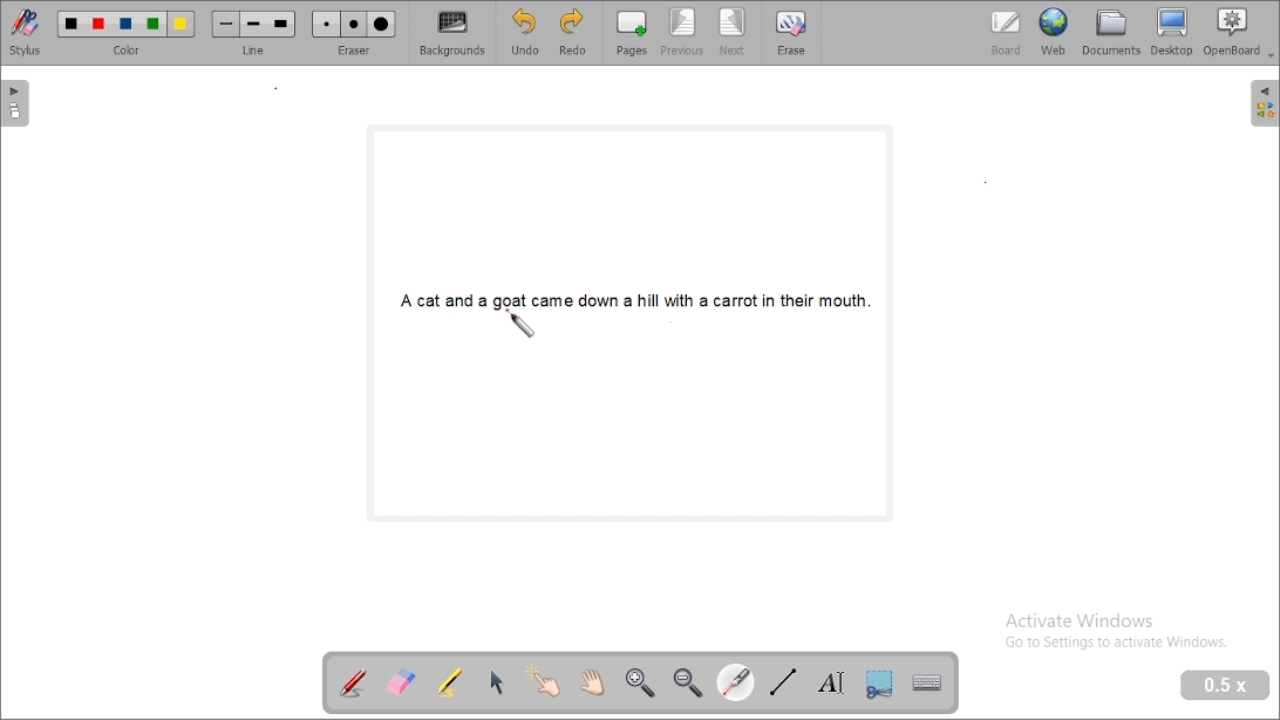 The width and height of the screenshot is (1280, 720). What do you see at coordinates (1226, 686) in the screenshot?
I see `zoom level` at bounding box center [1226, 686].